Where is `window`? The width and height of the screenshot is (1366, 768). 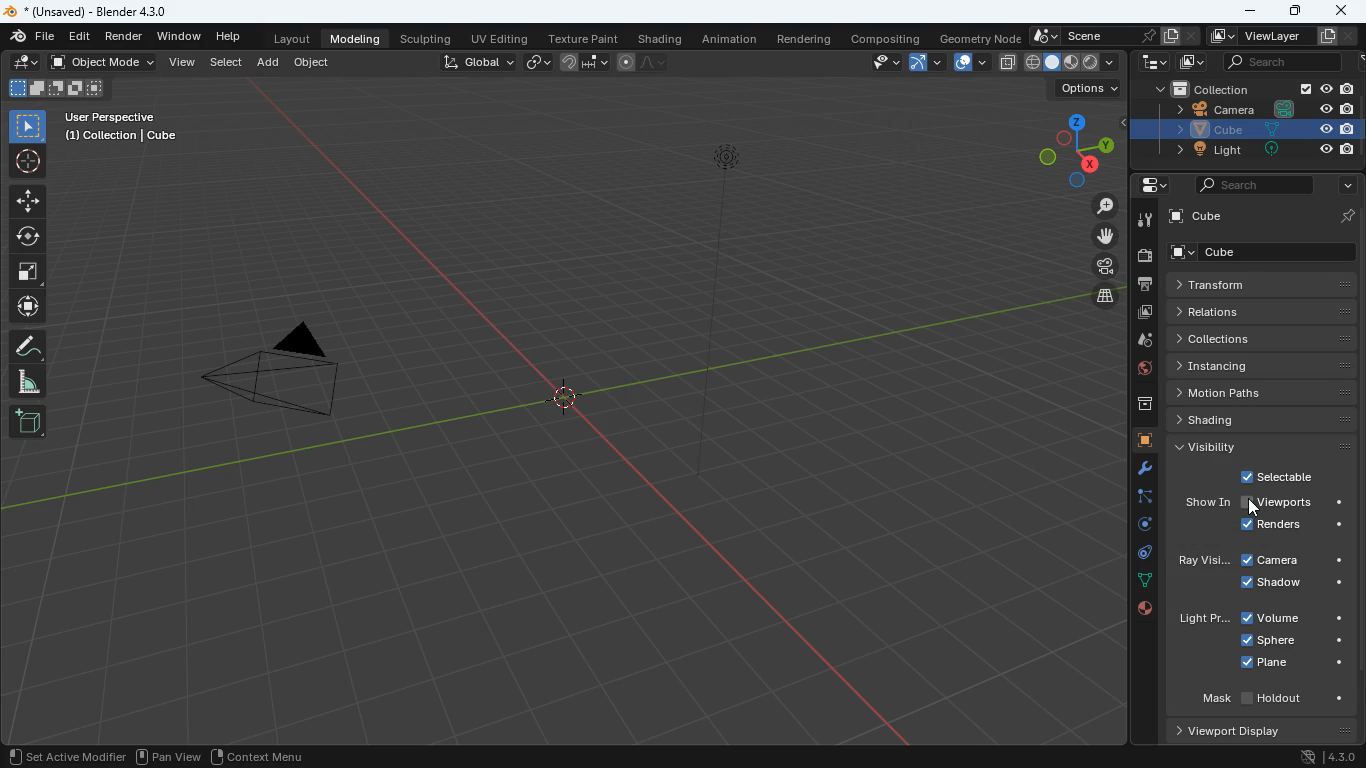
window is located at coordinates (178, 36).